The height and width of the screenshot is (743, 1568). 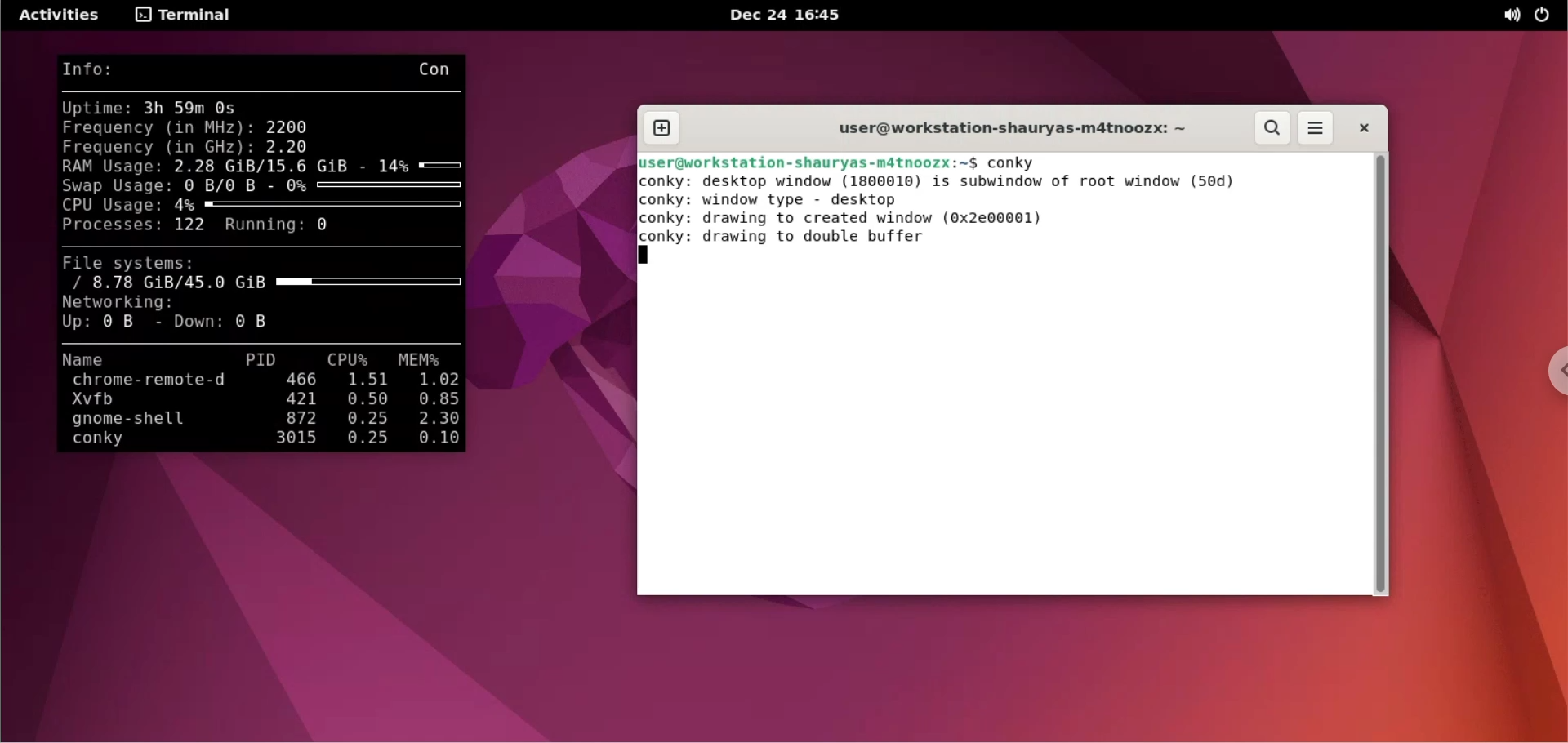 I want to click on terminal code input box, so click(x=1004, y=438).